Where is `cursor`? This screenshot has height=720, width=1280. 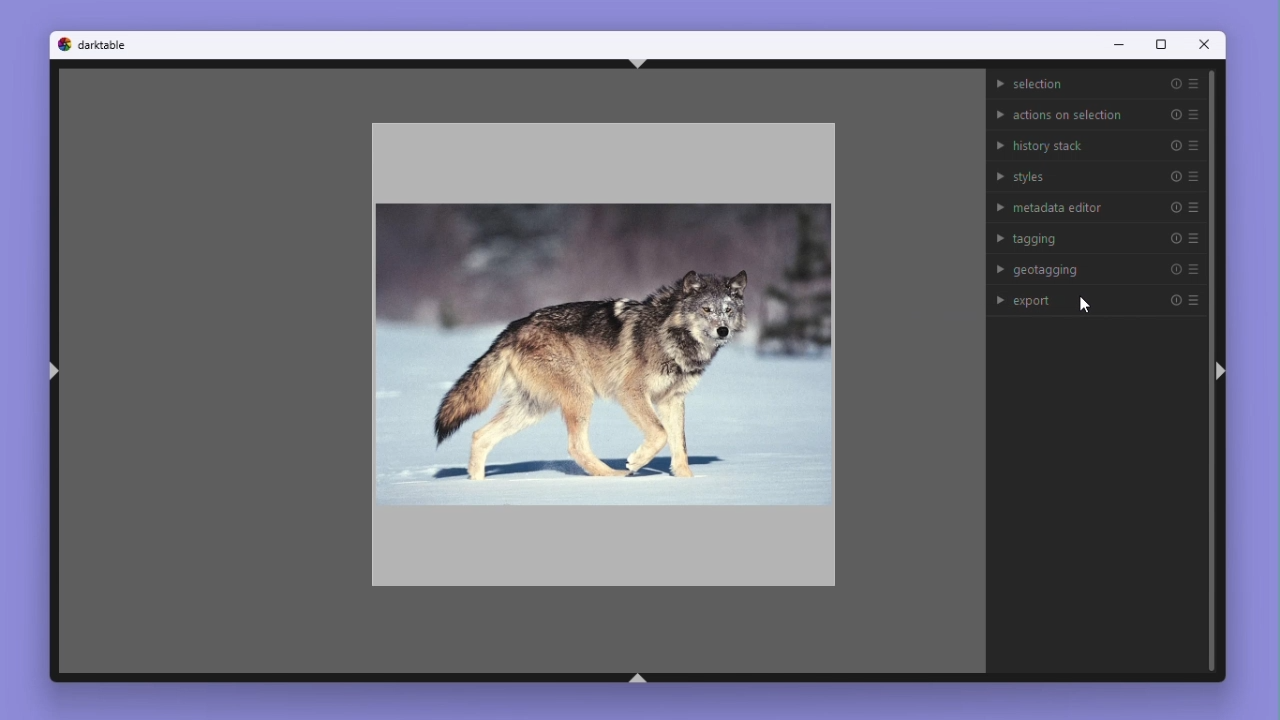
cursor is located at coordinates (1086, 305).